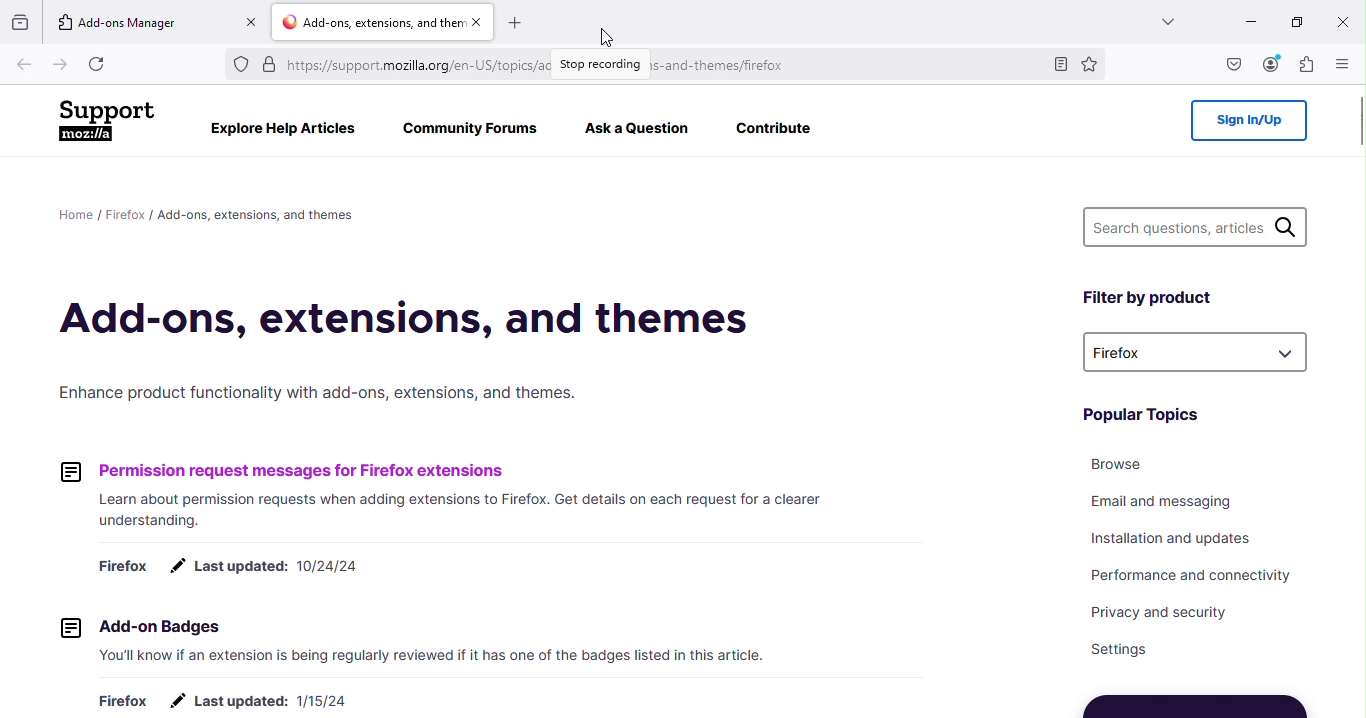  I want to click on Save to pocket, so click(1233, 65).